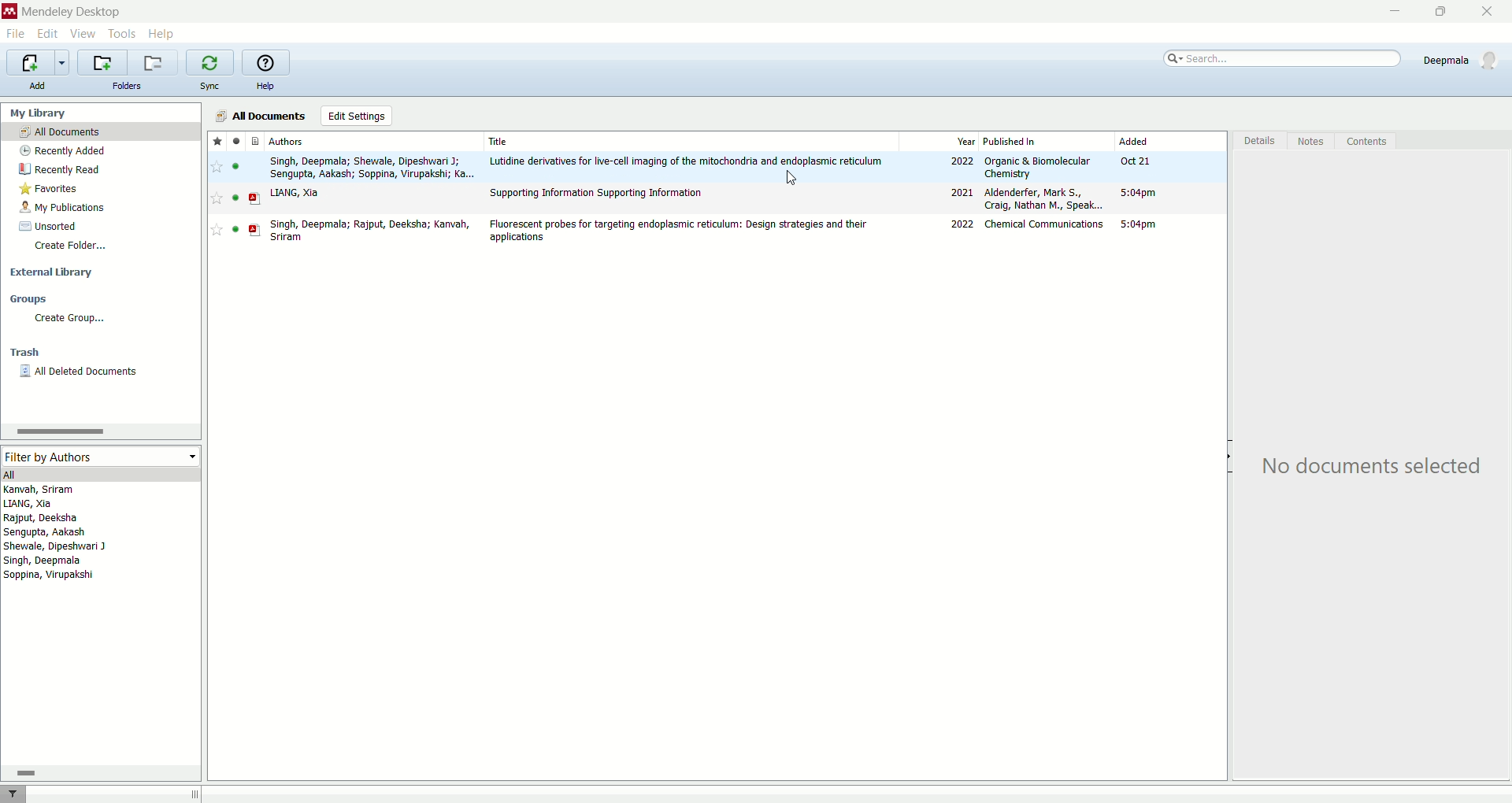 Image resolution: width=1512 pixels, height=803 pixels. I want to click on published in, so click(1010, 141).